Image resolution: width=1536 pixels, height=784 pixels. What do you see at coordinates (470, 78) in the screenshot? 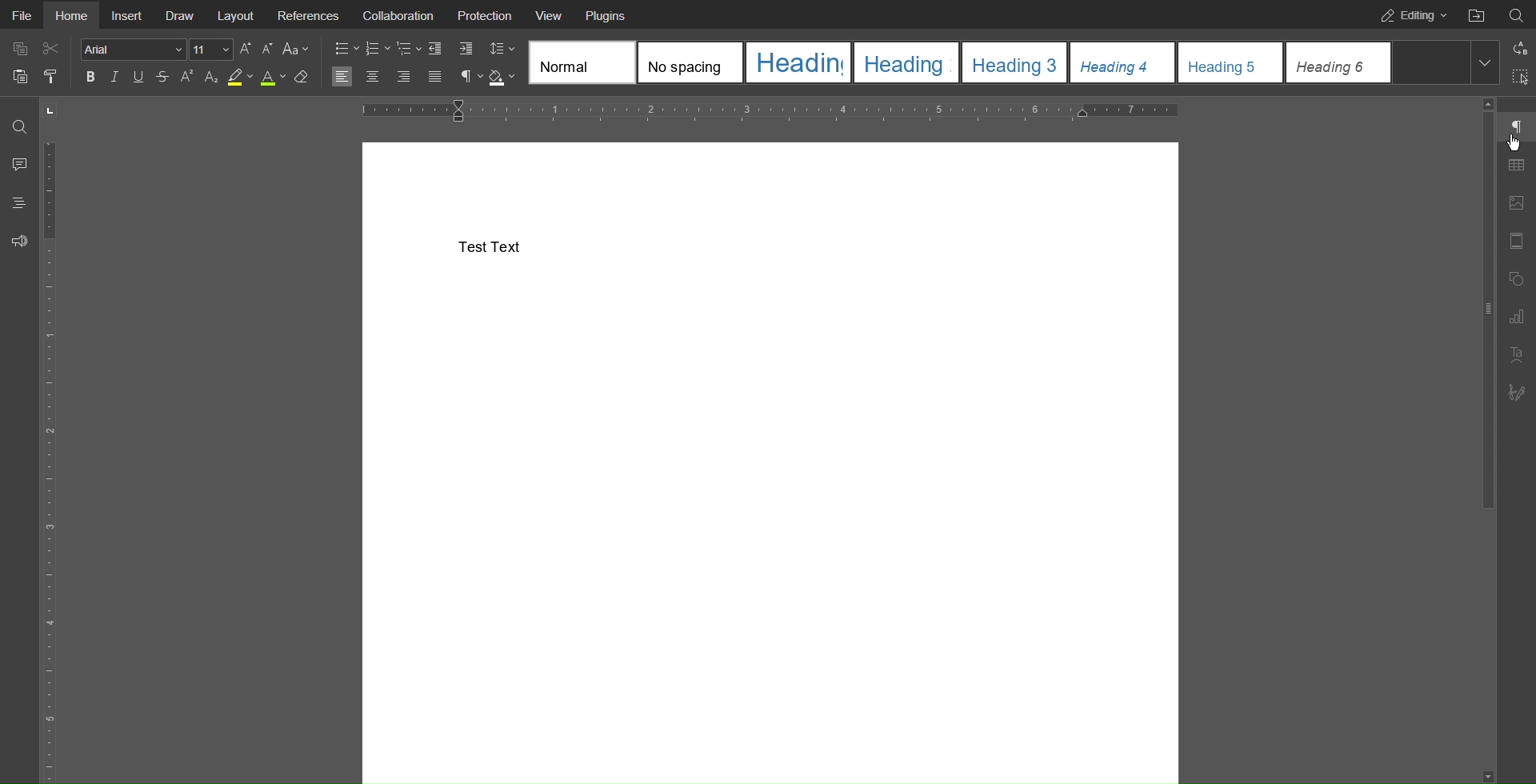
I see `Paragraph Settings` at bounding box center [470, 78].